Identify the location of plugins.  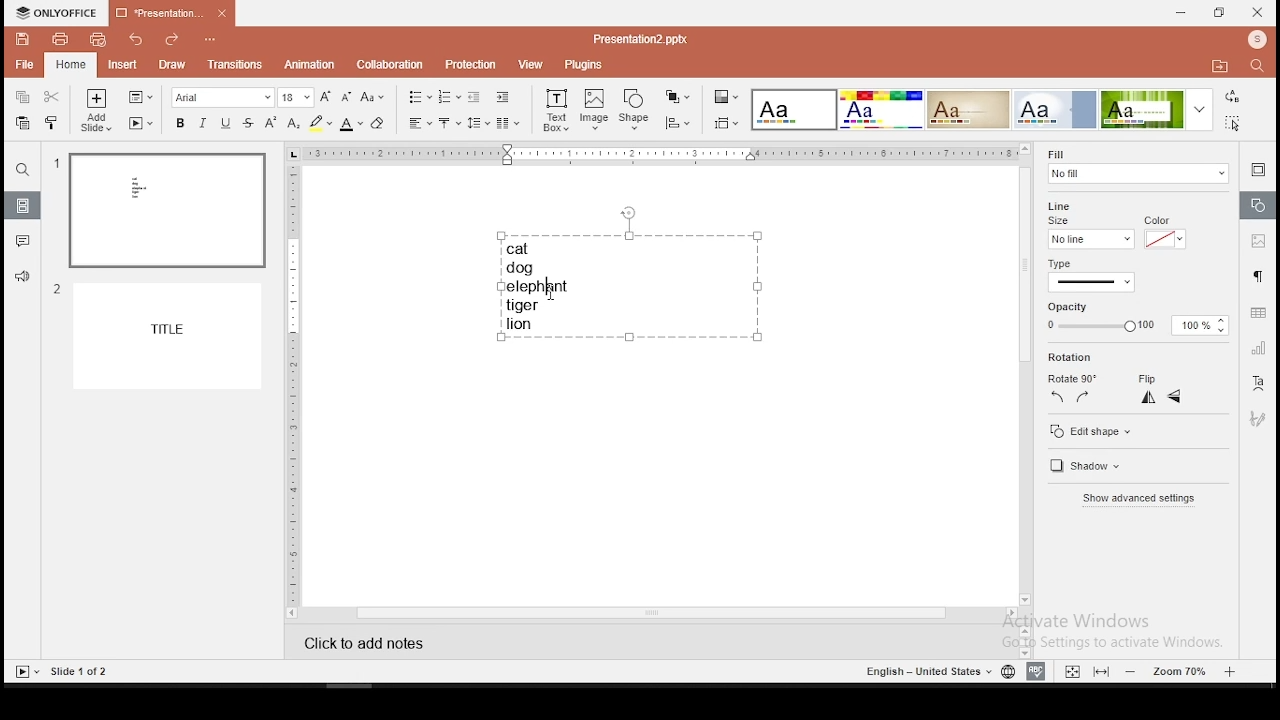
(584, 65).